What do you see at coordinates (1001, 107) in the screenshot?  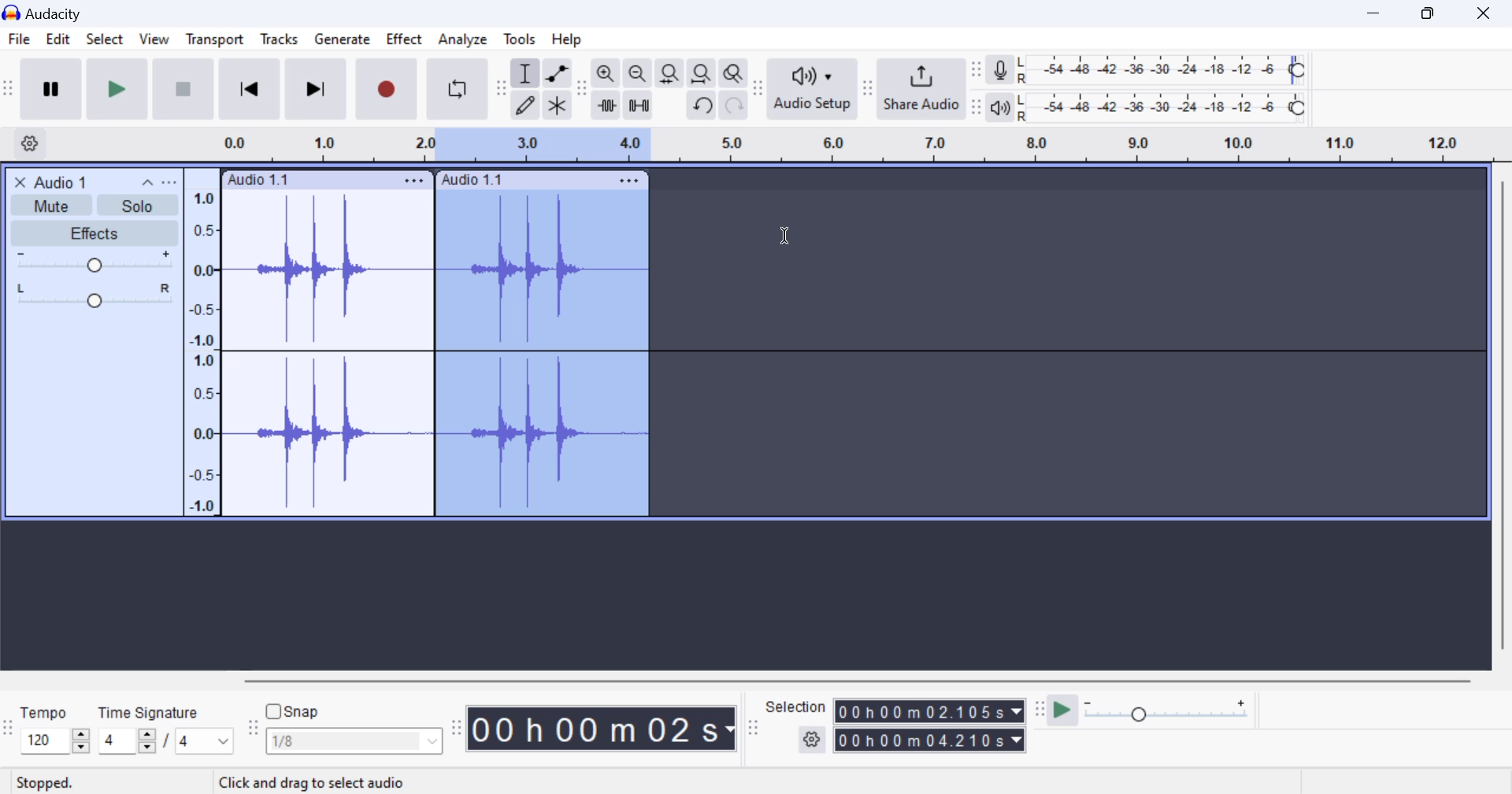 I see `playback meter` at bounding box center [1001, 107].